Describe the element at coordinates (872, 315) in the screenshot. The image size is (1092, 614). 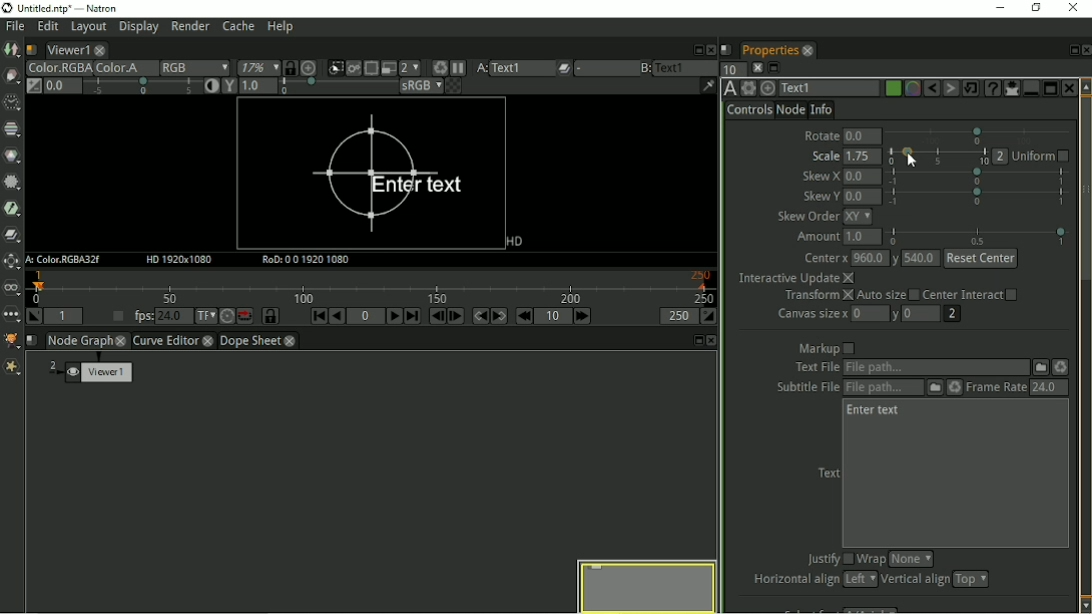
I see `Canvas size` at that location.